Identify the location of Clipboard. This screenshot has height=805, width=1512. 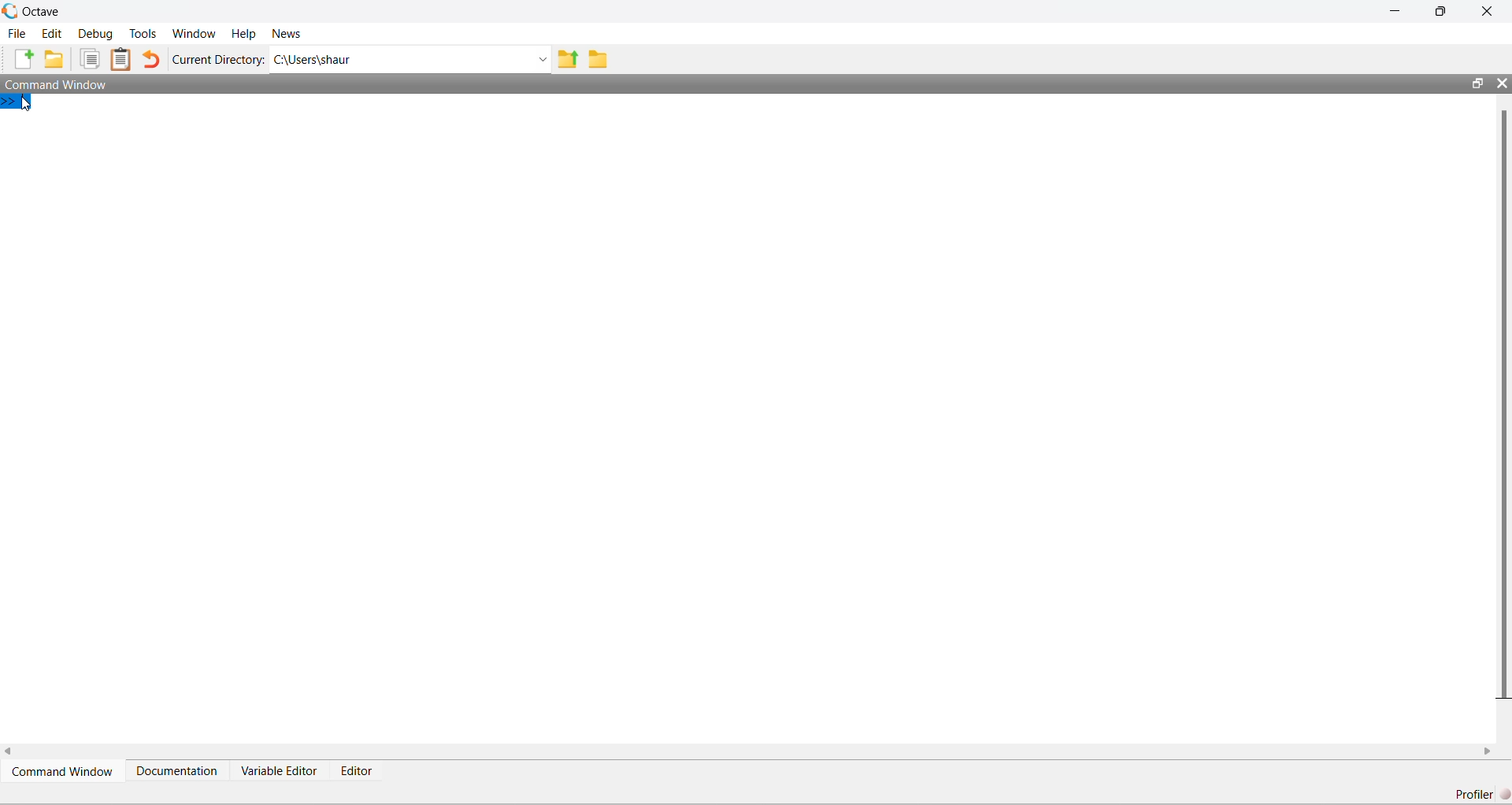
(120, 60).